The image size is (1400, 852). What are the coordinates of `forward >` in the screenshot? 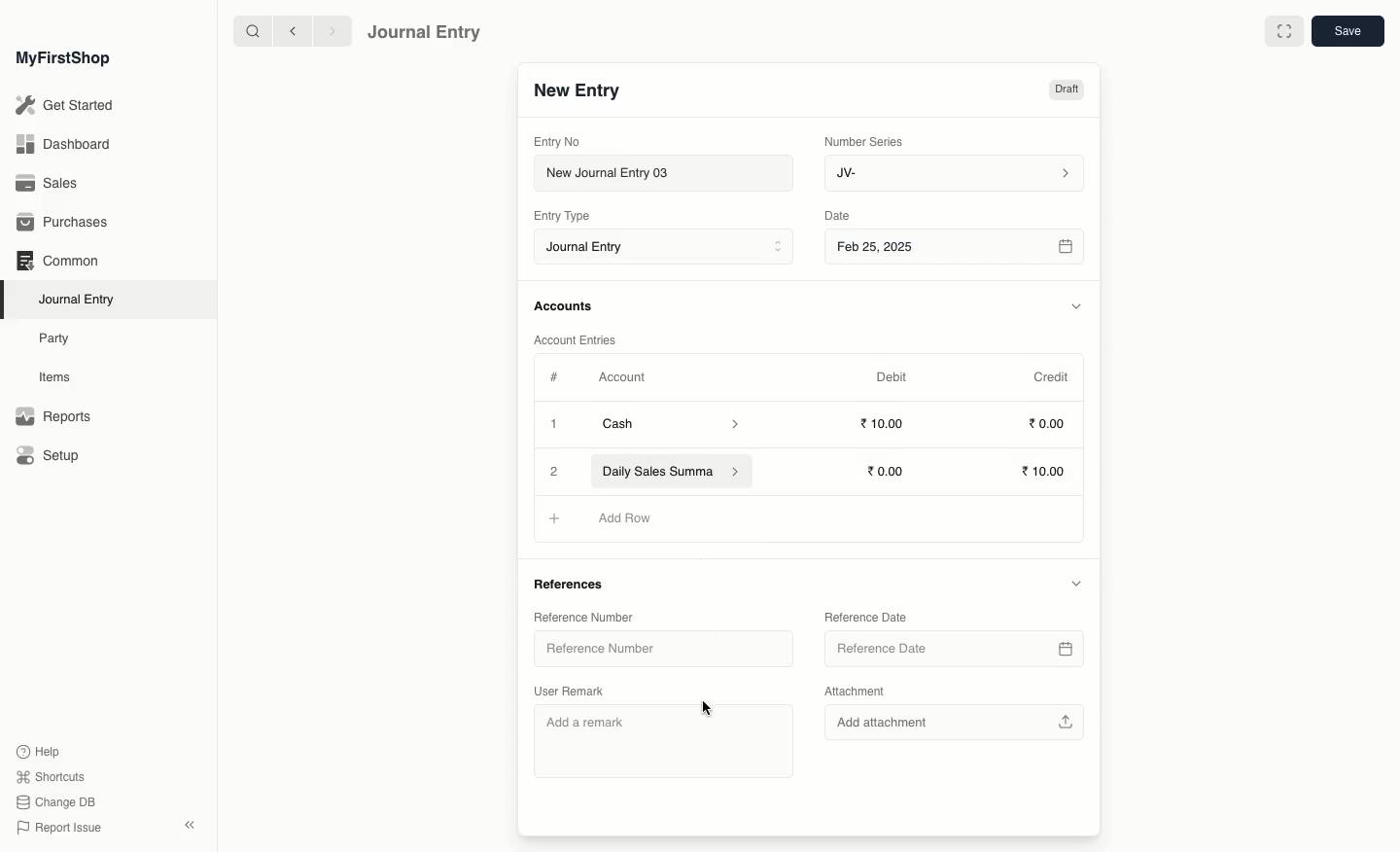 It's located at (328, 30).